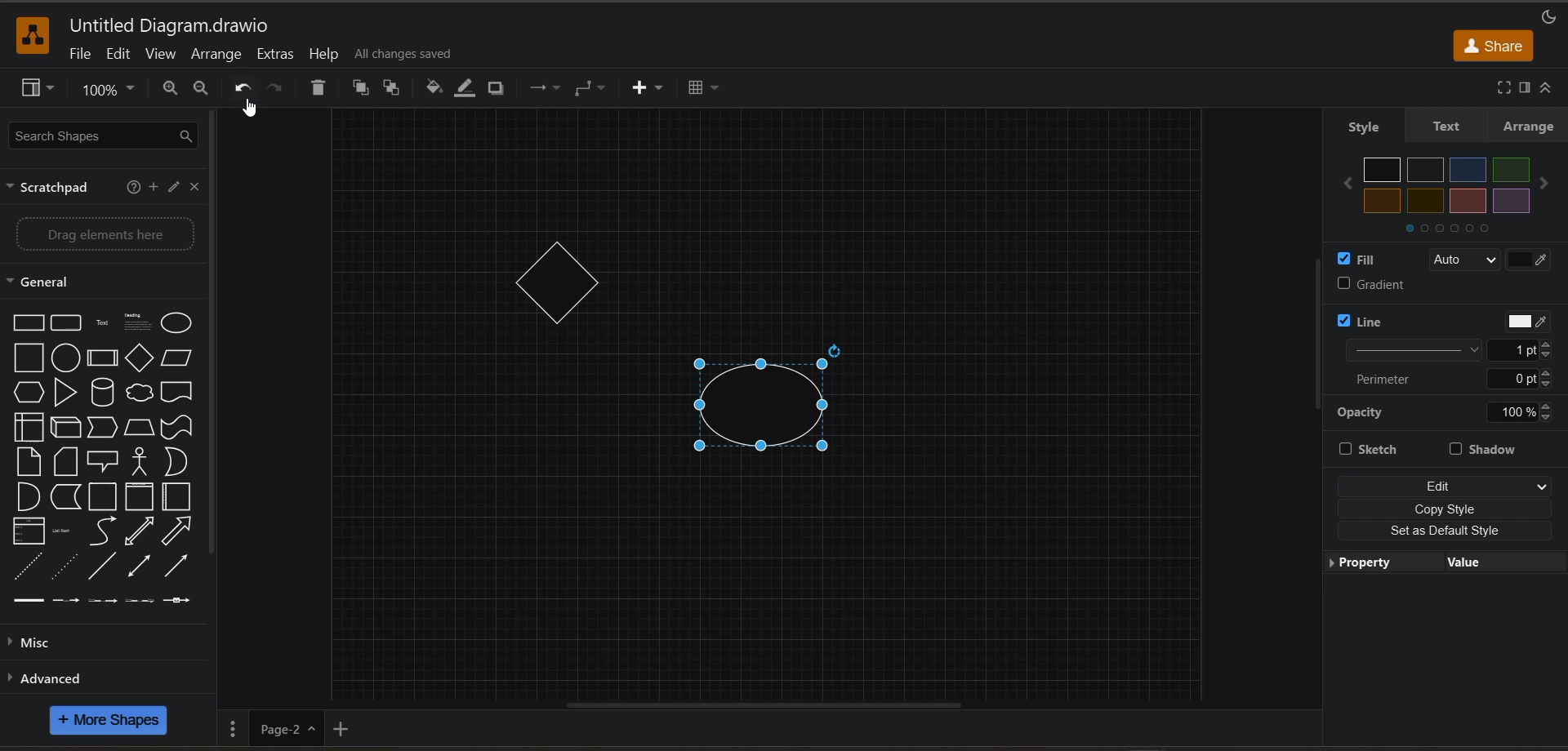  What do you see at coordinates (1449, 335) in the screenshot?
I see `line` at bounding box center [1449, 335].